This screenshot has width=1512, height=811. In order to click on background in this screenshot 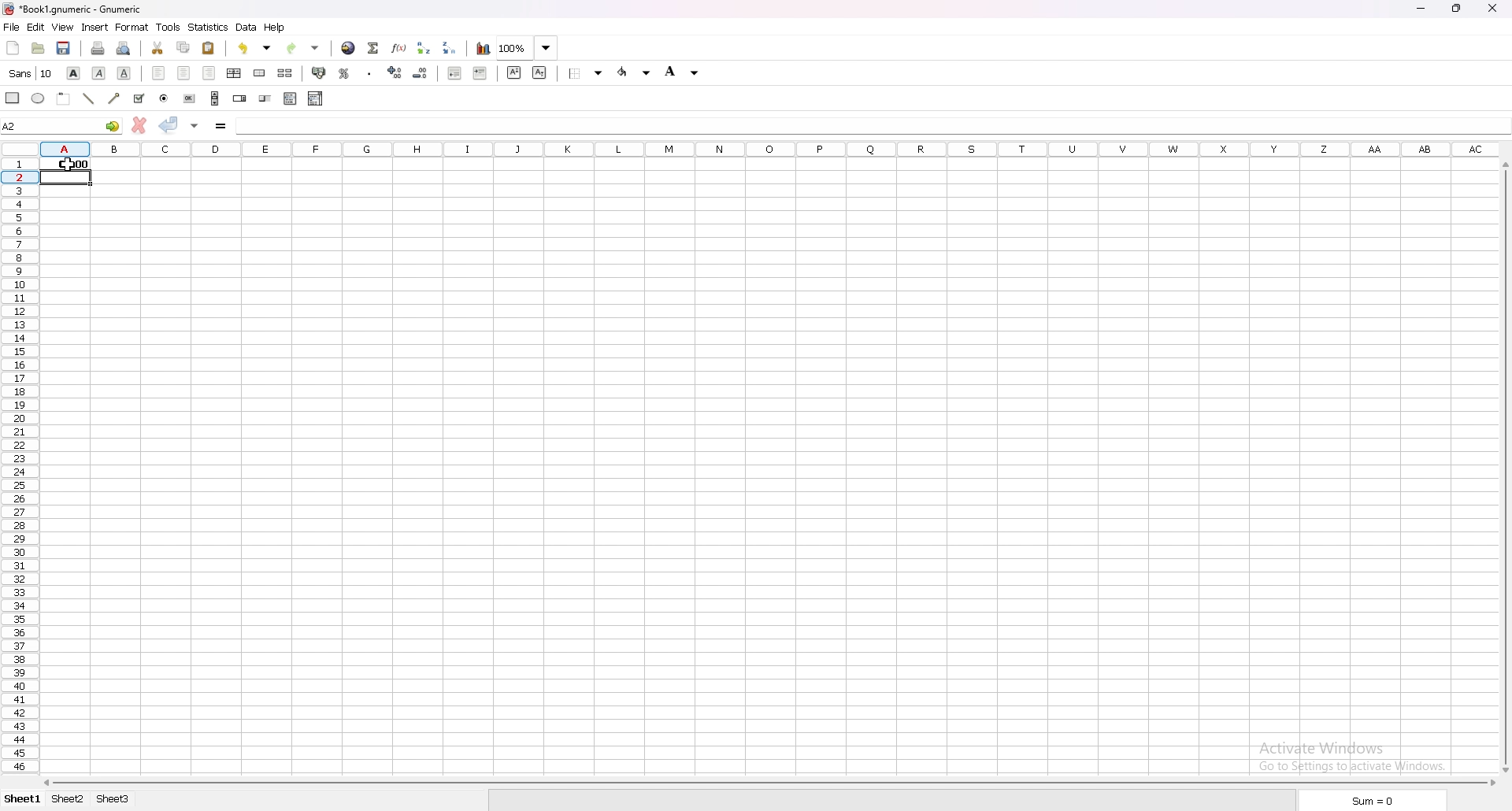, I will do `click(634, 72)`.